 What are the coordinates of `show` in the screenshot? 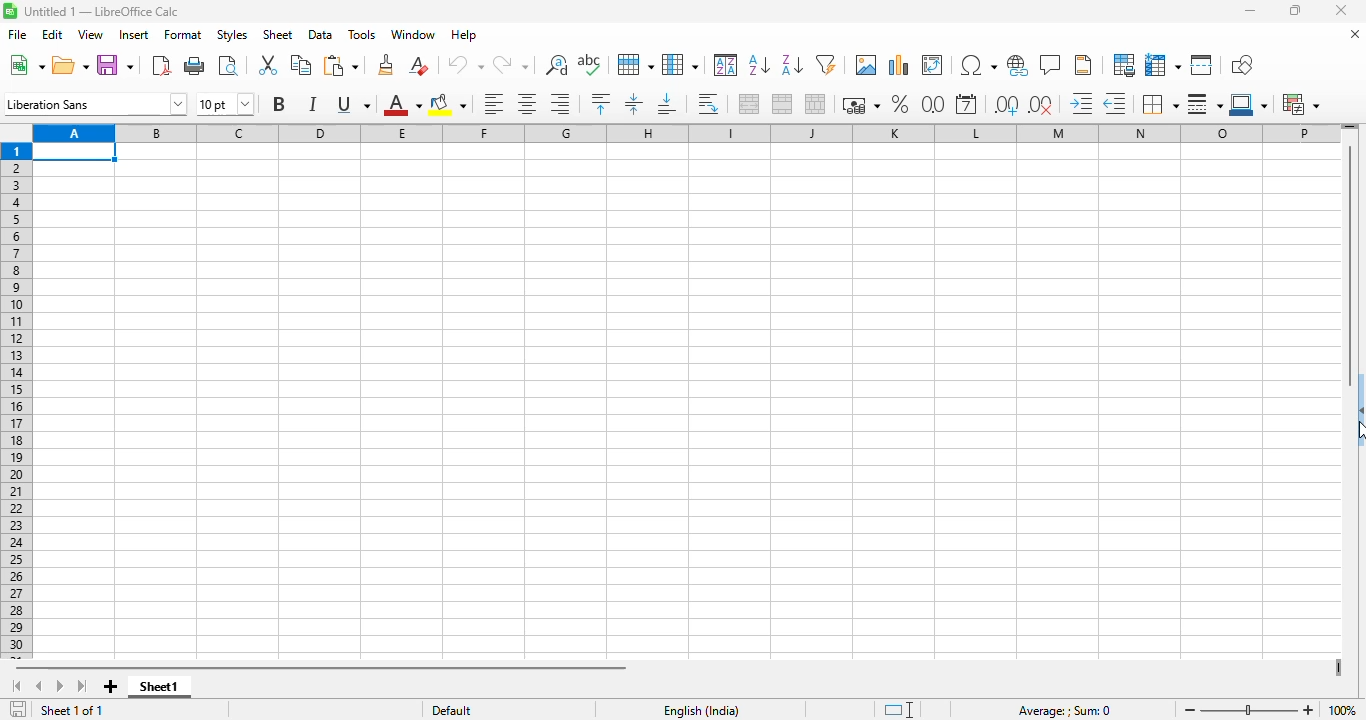 It's located at (1357, 409).